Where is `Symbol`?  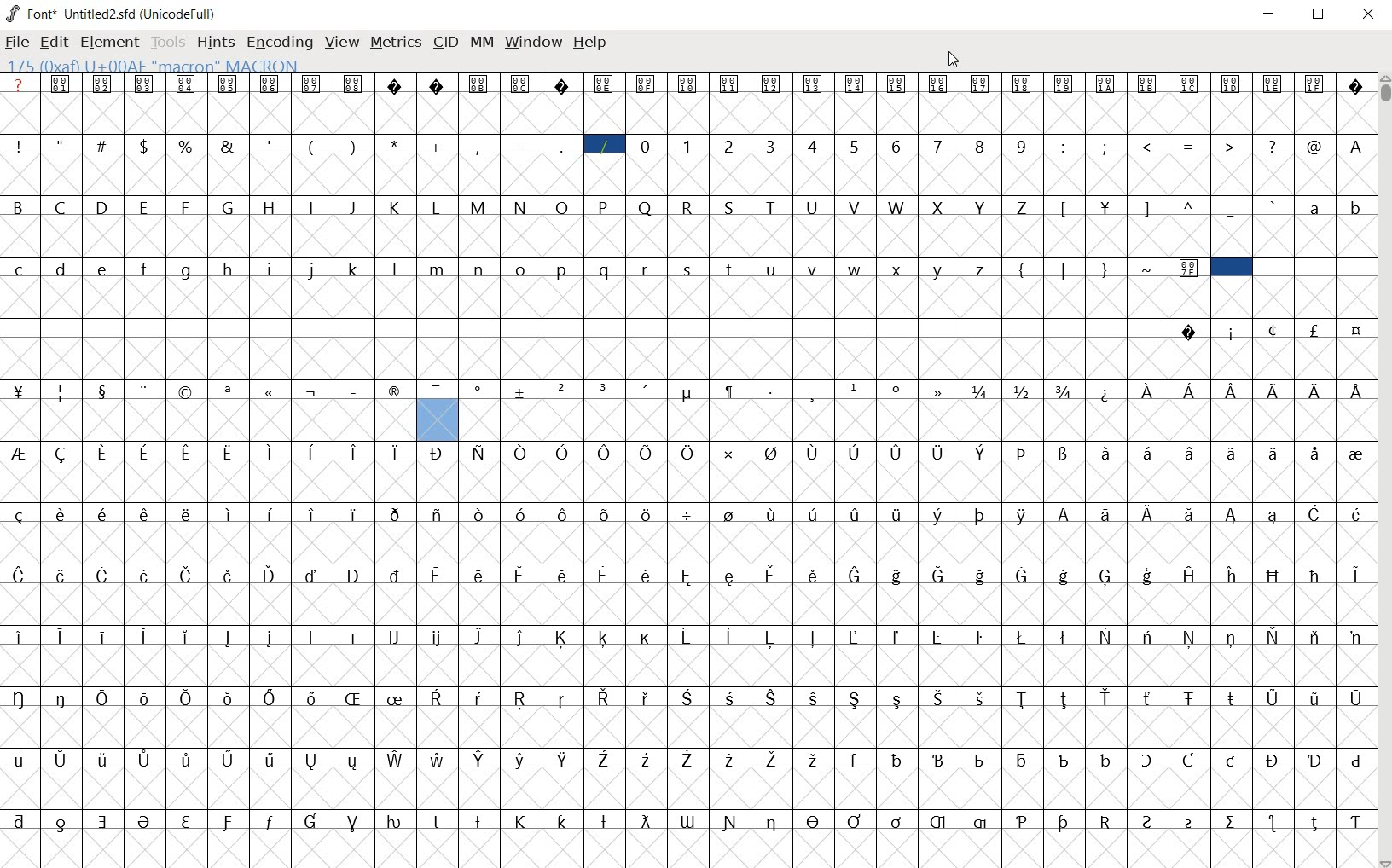 Symbol is located at coordinates (106, 635).